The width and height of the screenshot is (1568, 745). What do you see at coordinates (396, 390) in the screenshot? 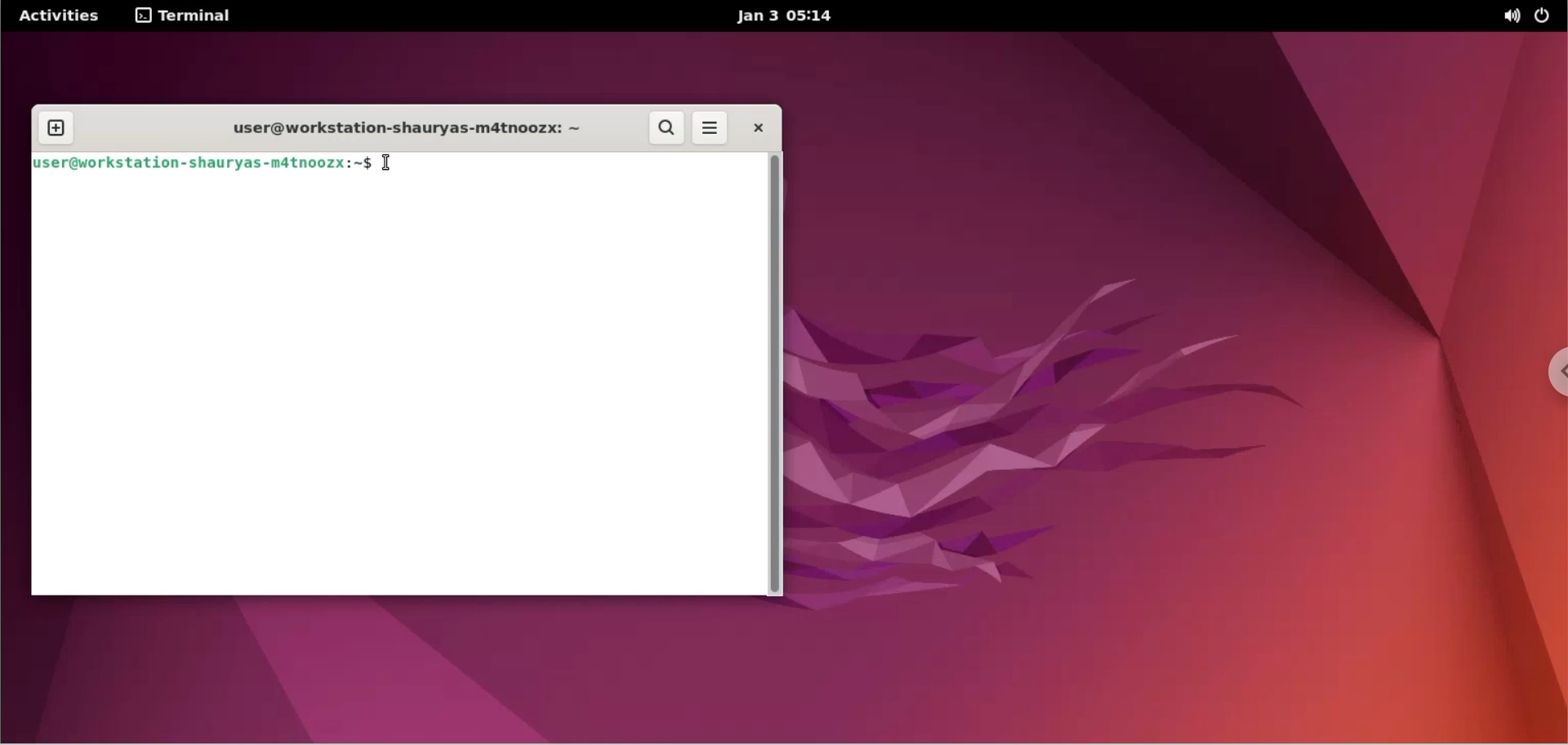
I see `command input box` at bounding box center [396, 390].